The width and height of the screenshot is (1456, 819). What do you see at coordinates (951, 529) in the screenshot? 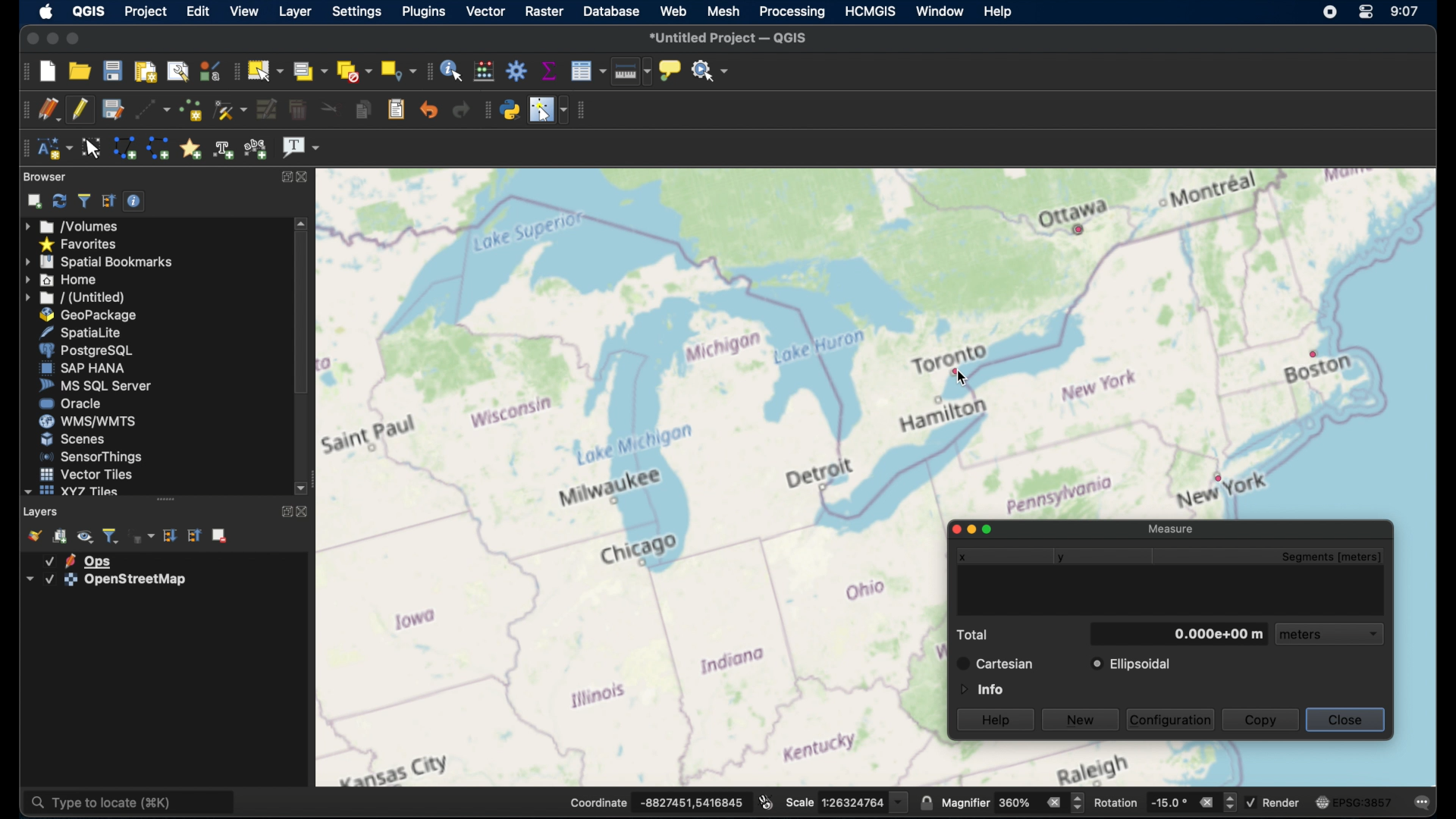
I see `close` at bounding box center [951, 529].